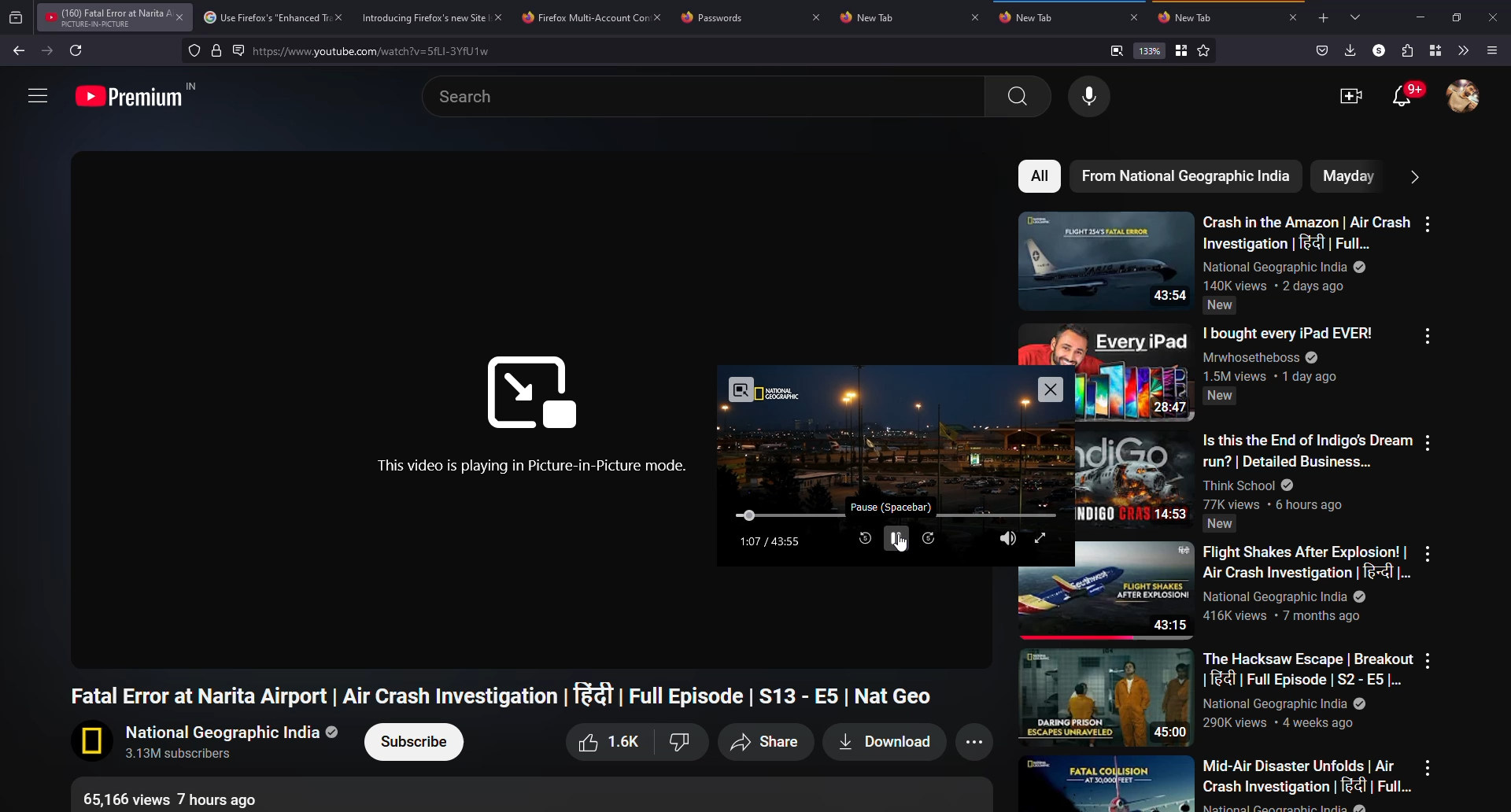 This screenshot has height=812, width=1511. Describe the element at coordinates (1219, 524) in the screenshot. I see `Indicates video is new` at that location.